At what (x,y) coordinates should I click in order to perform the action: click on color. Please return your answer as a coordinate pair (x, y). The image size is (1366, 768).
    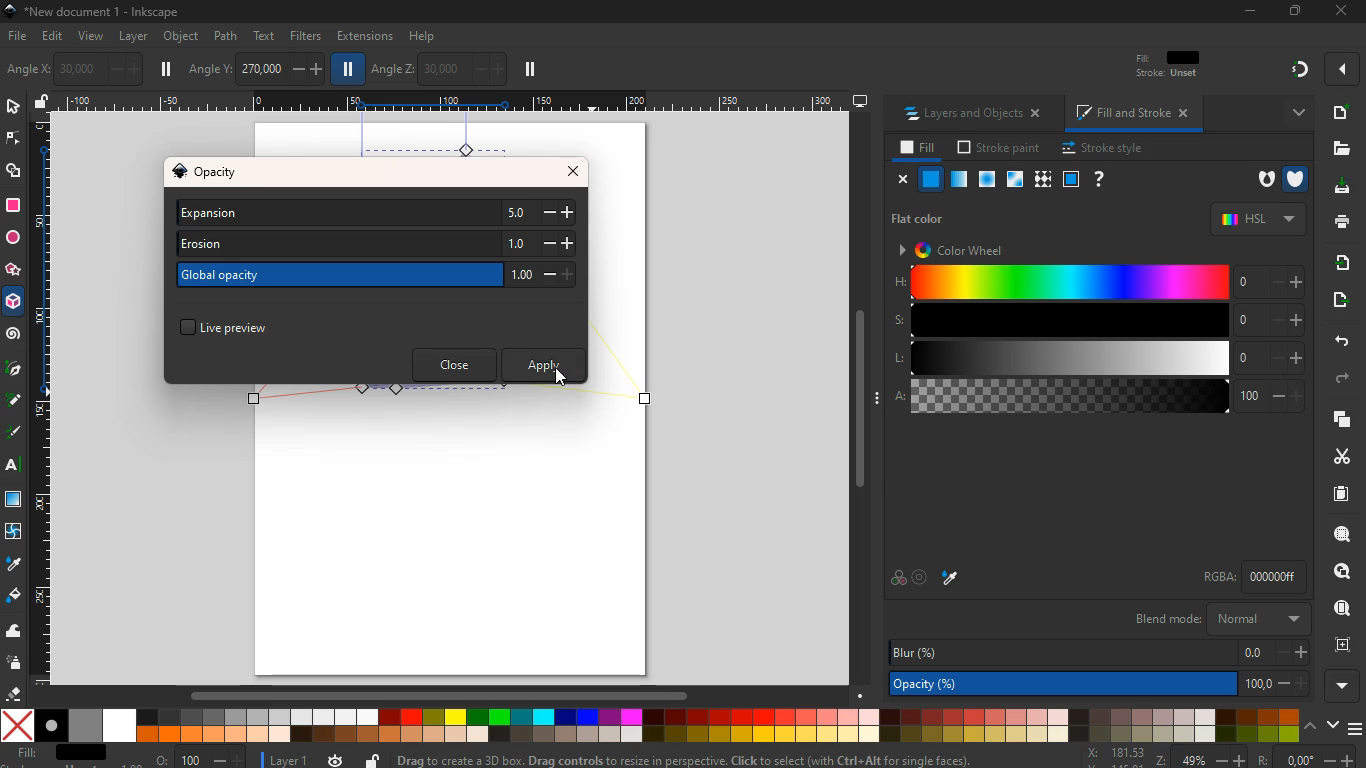
    Looking at the image, I should click on (649, 726).